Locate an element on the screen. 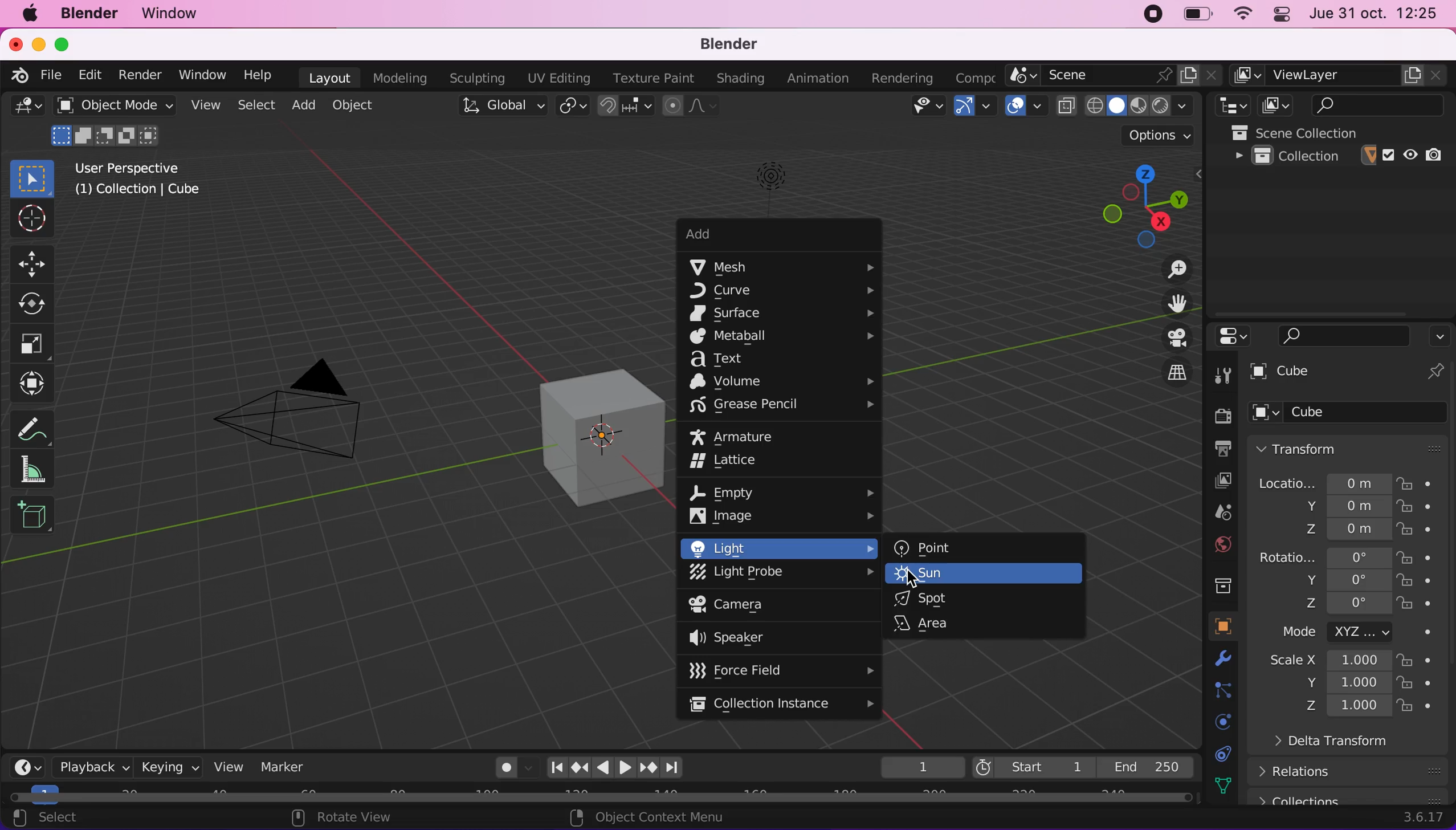 The height and width of the screenshot is (830, 1456). sun is located at coordinates (982, 574).